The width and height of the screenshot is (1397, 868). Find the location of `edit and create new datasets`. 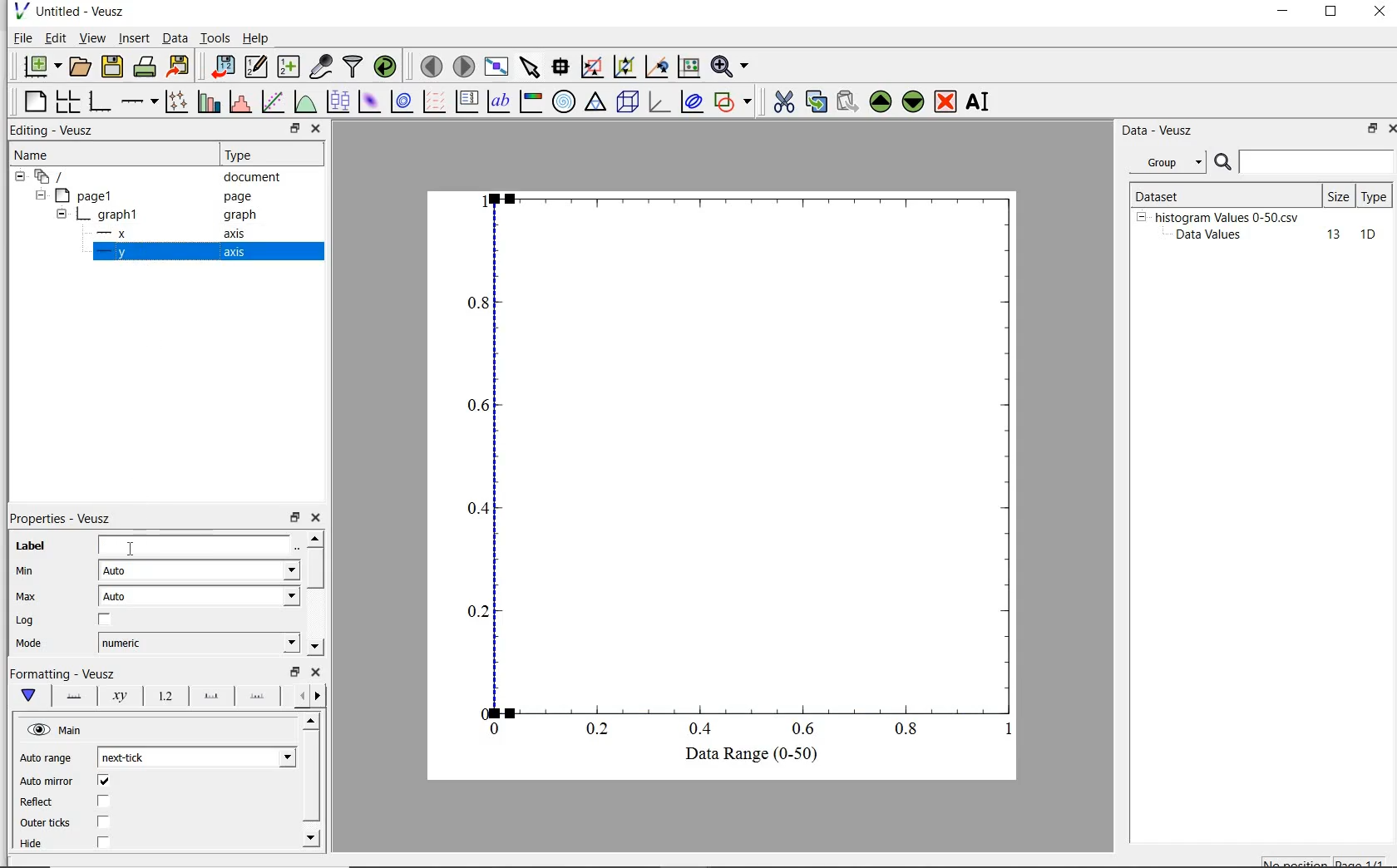

edit and create new datasets is located at coordinates (256, 66).